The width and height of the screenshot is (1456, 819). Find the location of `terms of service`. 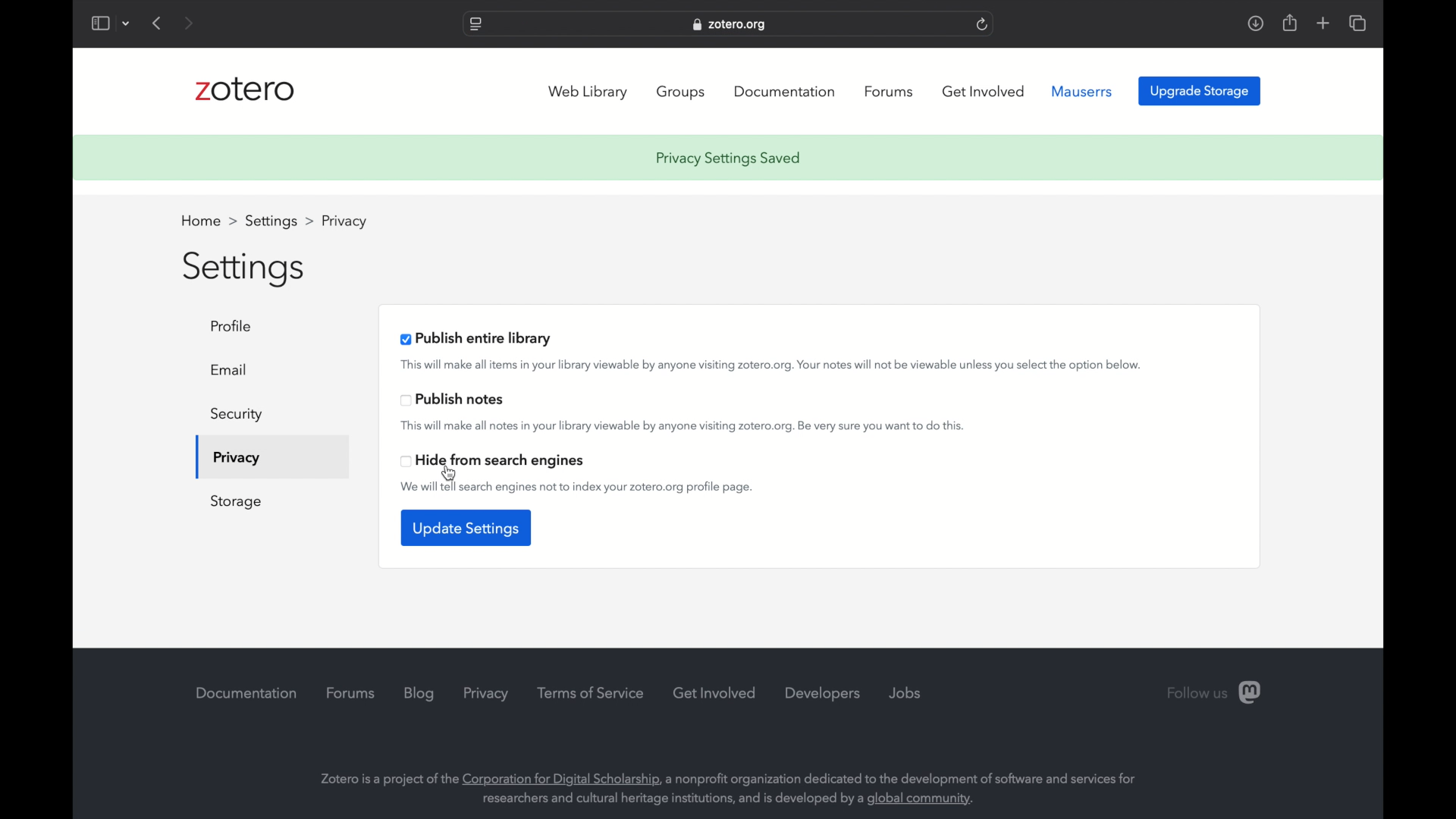

terms of service is located at coordinates (591, 692).